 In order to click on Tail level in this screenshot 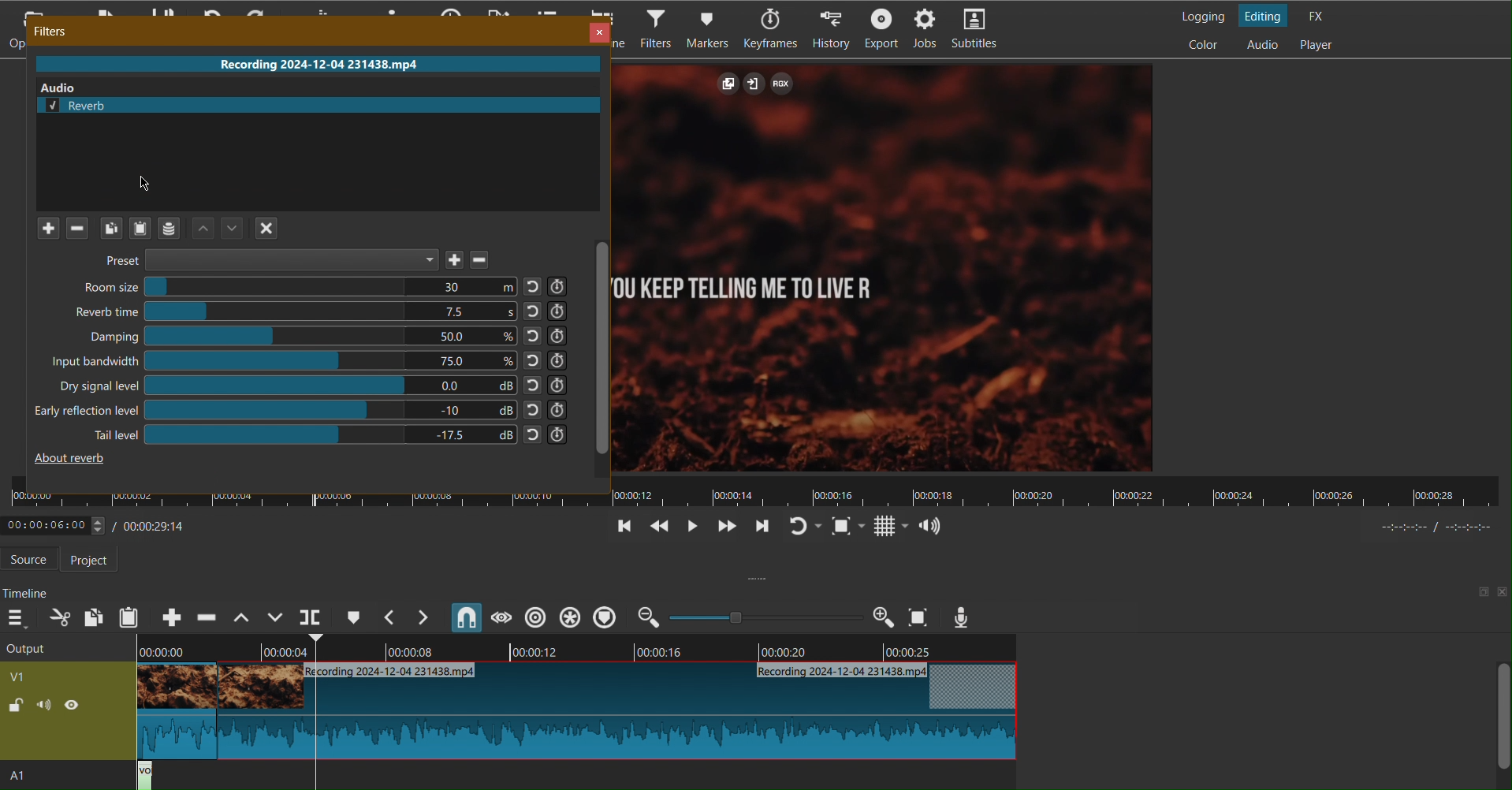, I will do `click(327, 433)`.